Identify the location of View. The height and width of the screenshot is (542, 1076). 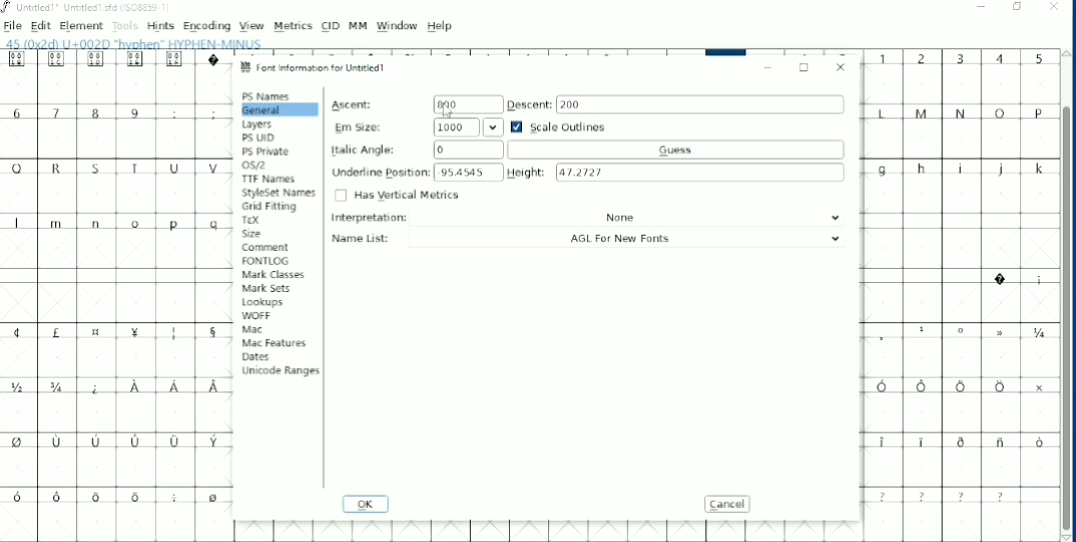
(252, 26).